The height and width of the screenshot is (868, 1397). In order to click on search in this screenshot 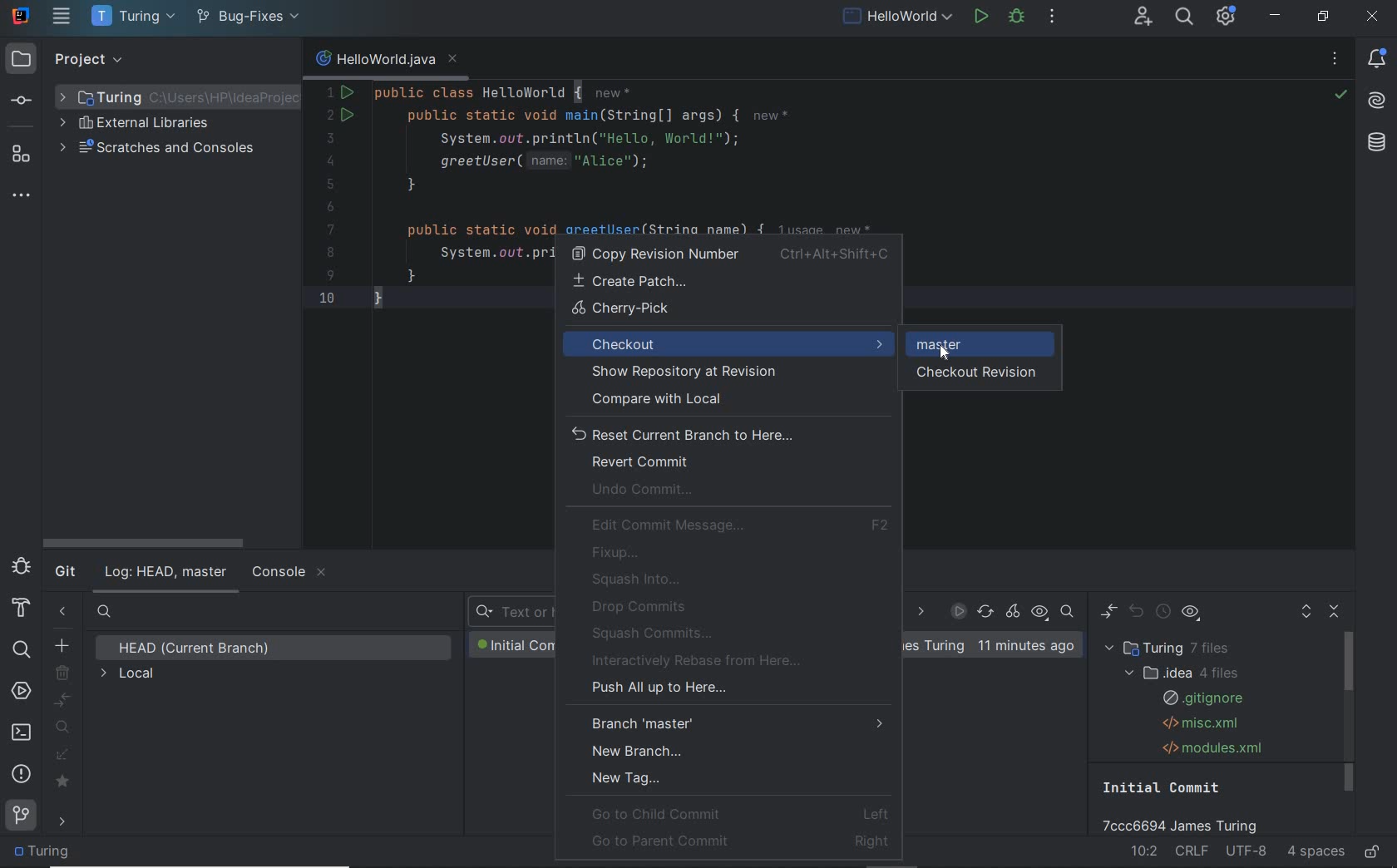, I will do `click(20, 648)`.